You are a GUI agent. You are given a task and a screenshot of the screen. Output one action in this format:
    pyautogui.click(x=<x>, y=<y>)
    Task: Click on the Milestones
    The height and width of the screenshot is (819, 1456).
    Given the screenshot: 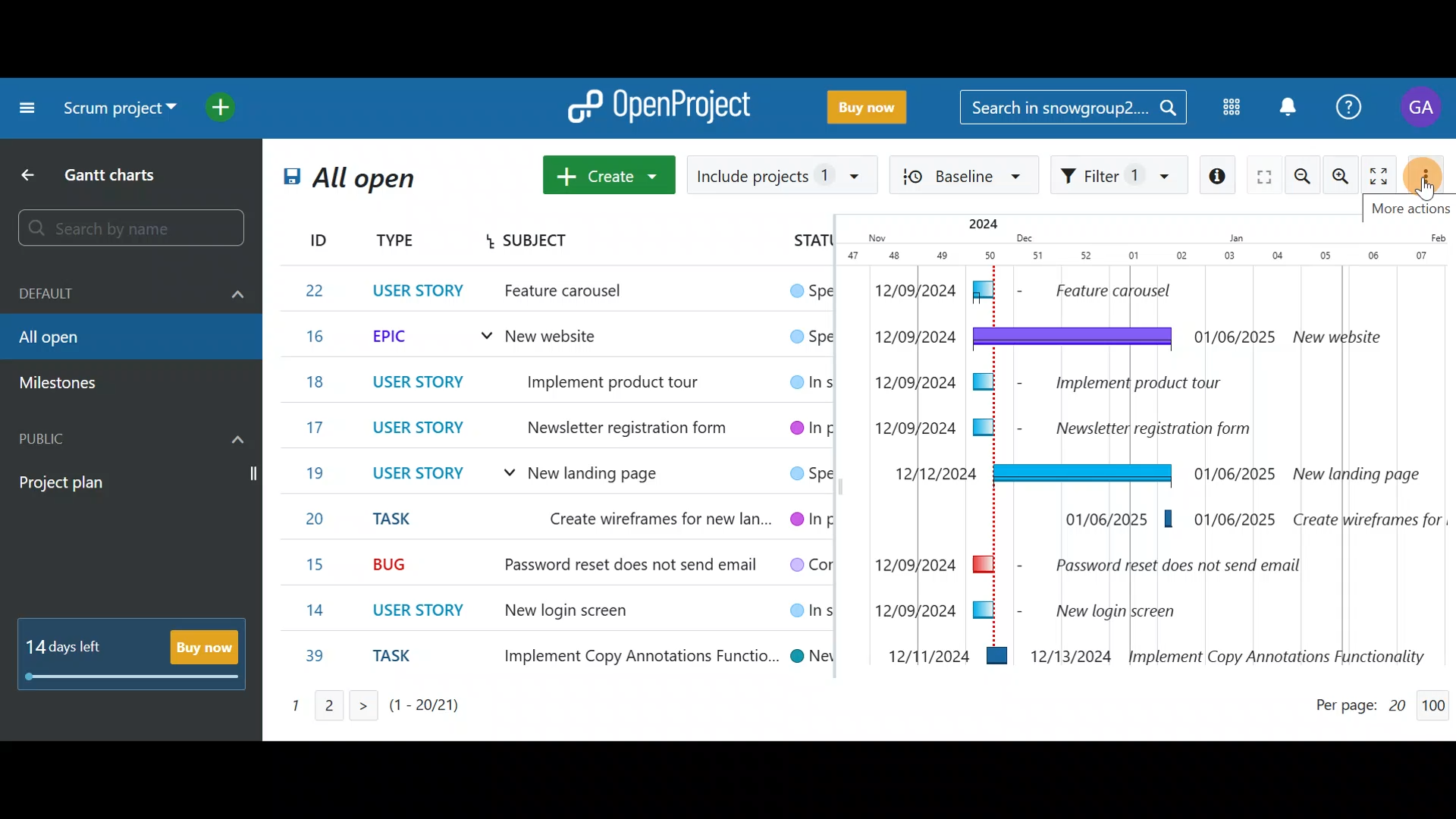 What is the action you would take?
    pyautogui.click(x=71, y=384)
    